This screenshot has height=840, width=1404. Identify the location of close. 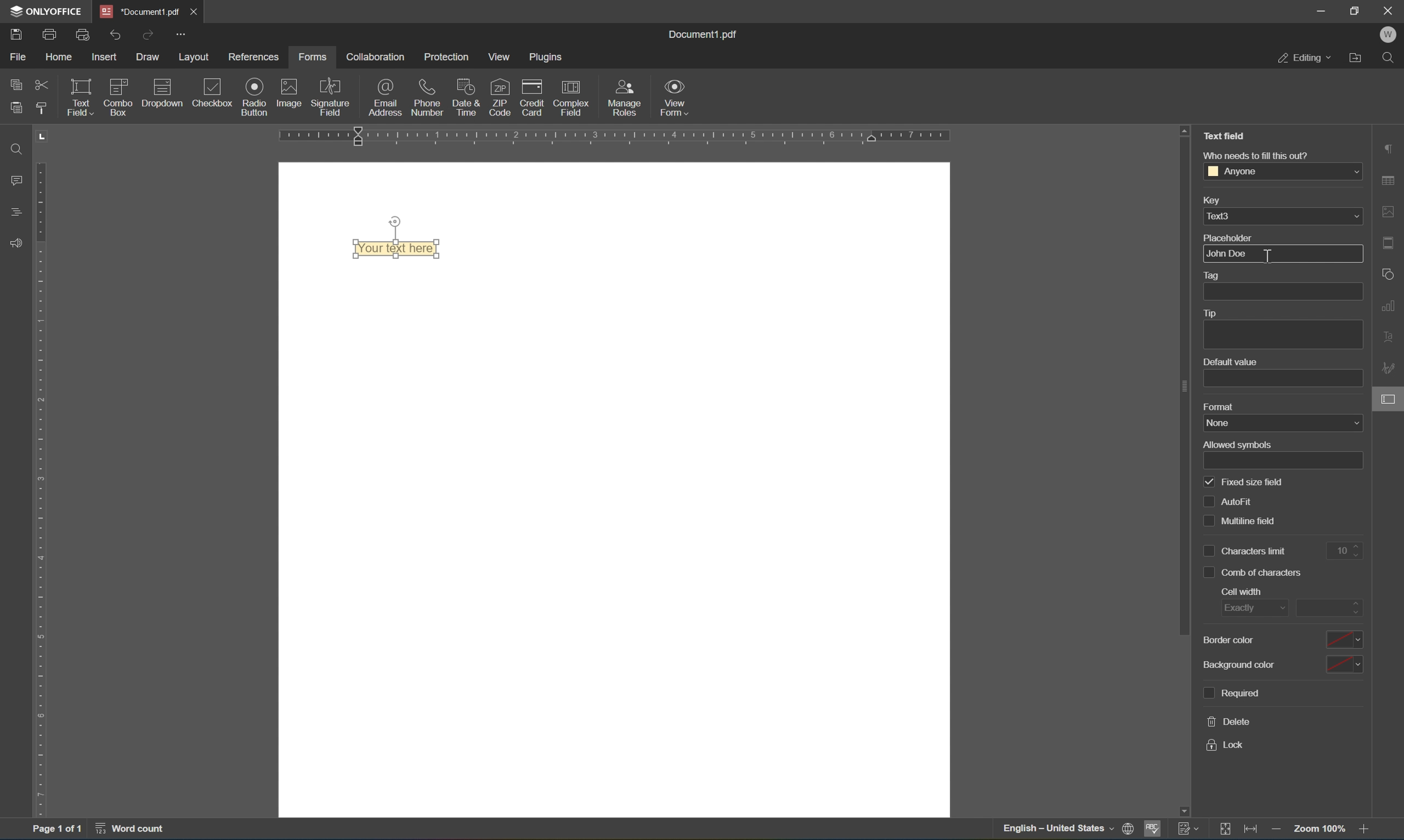
(194, 11).